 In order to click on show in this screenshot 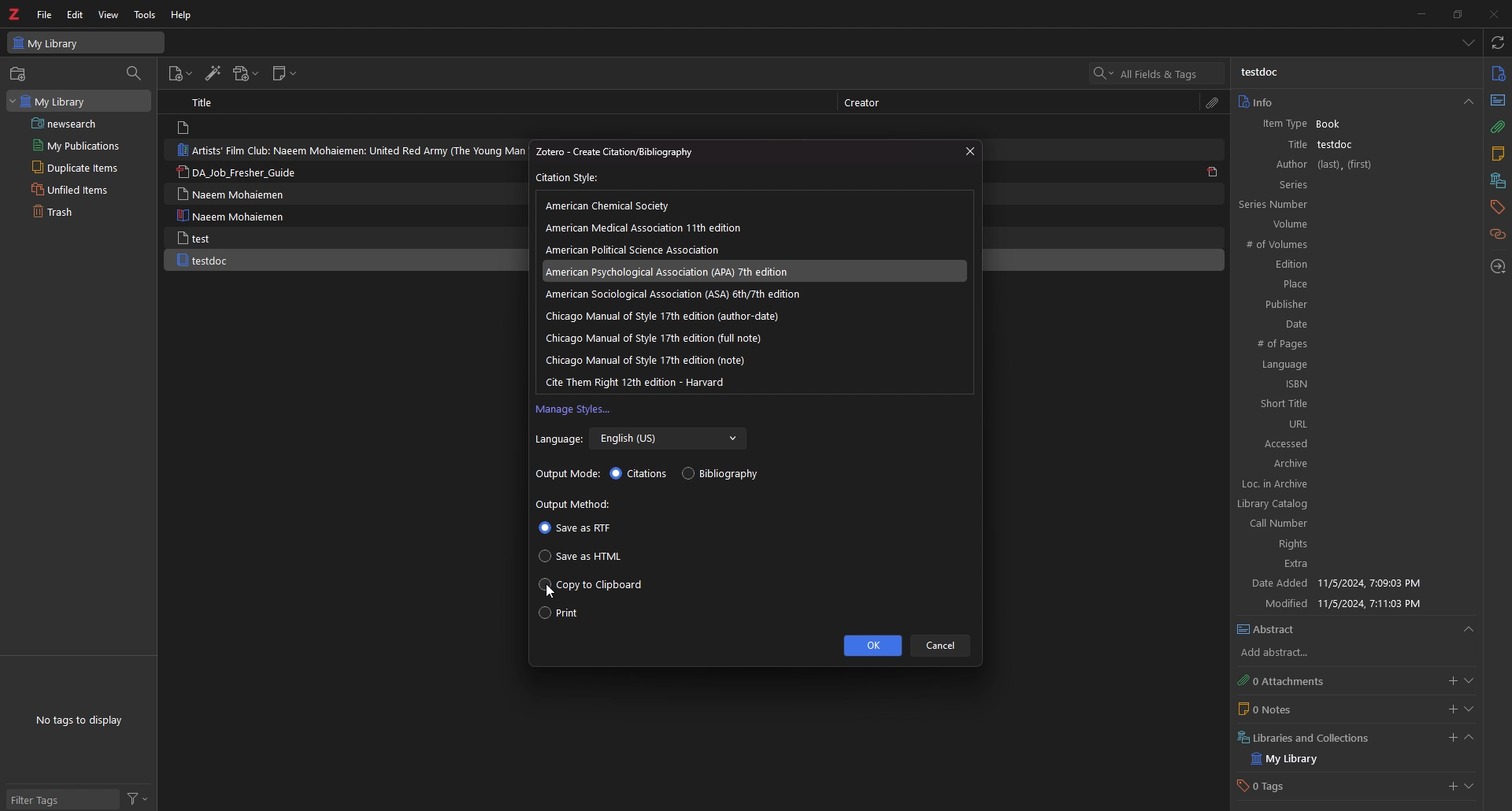, I will do `click(1469, 681)`.